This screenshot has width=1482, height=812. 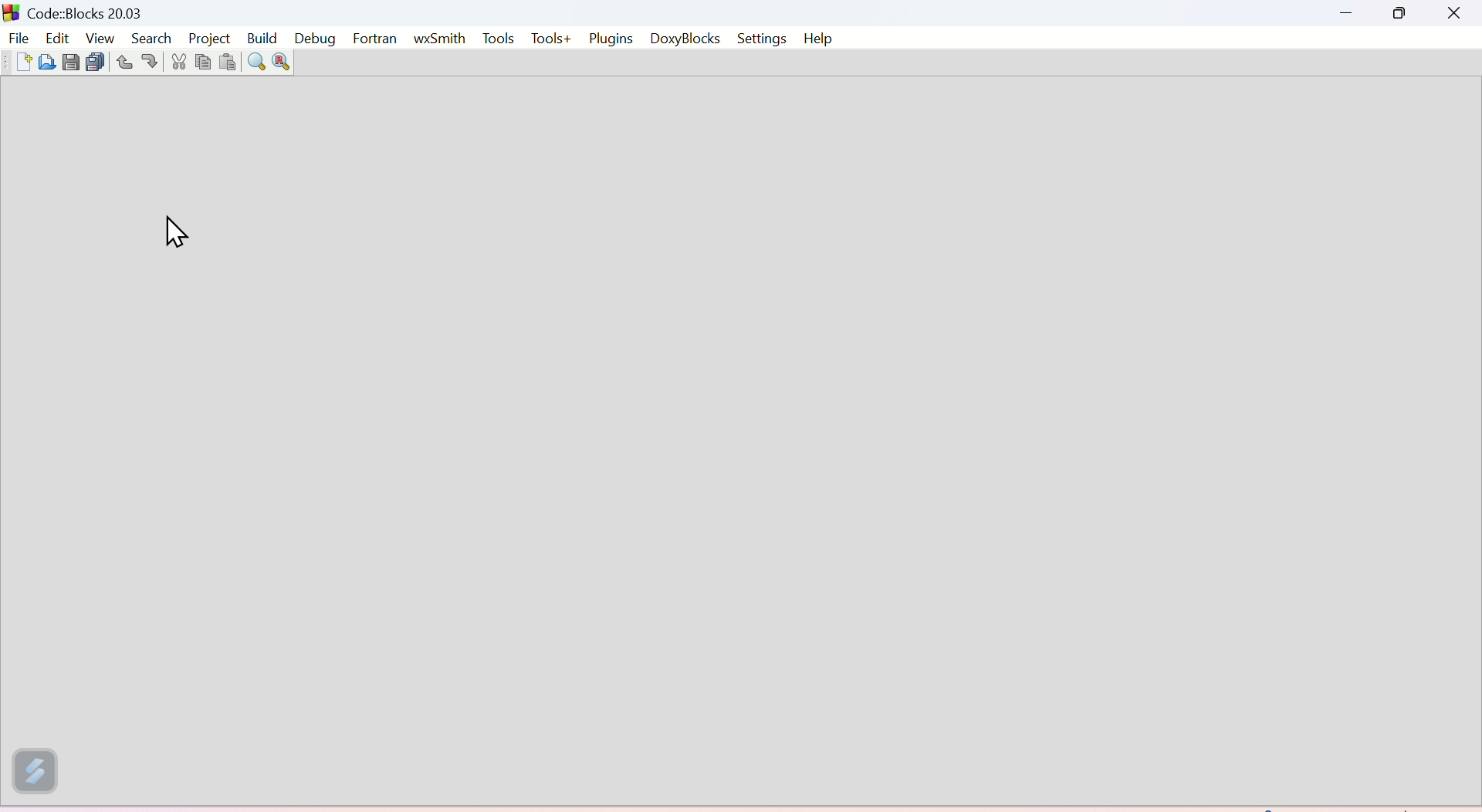 What do you see at coordinates (19, 37) in the screenshot?
I see `File` at bounding box center [19, 37].